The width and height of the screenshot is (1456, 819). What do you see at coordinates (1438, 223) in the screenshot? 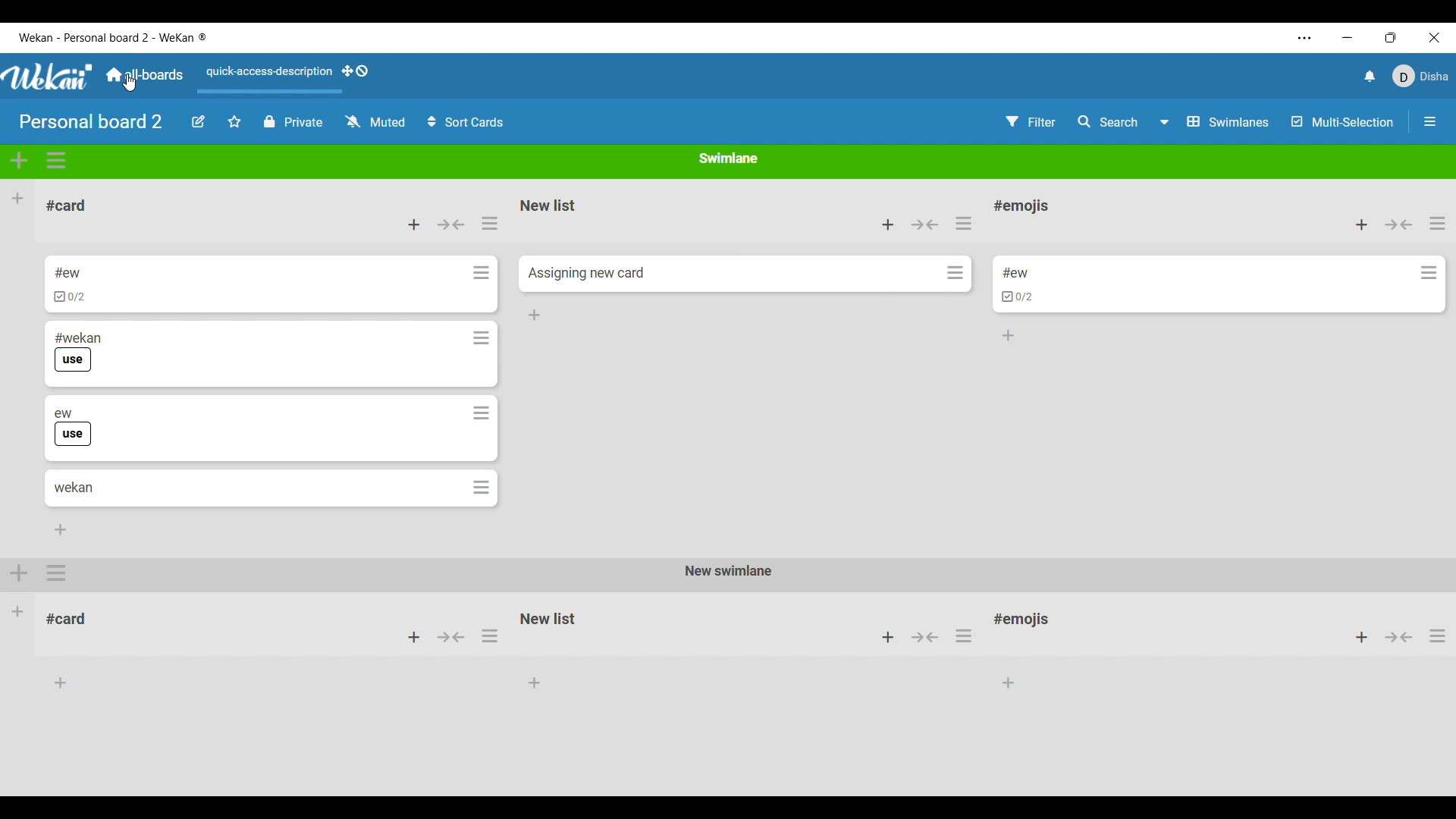
I see `List actions` at bounding box center [1438, 223].